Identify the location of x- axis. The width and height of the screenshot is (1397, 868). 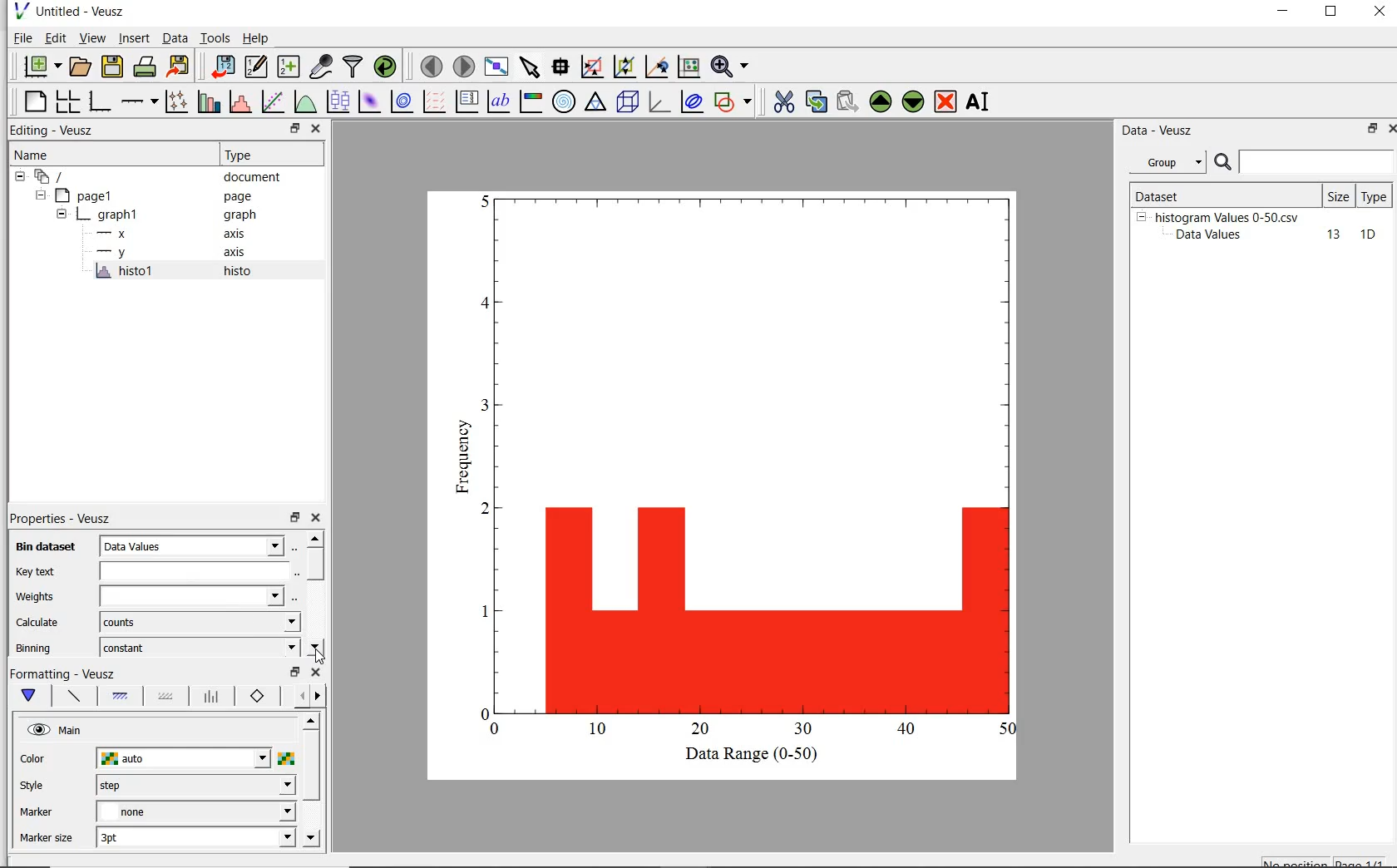
(115, 235).